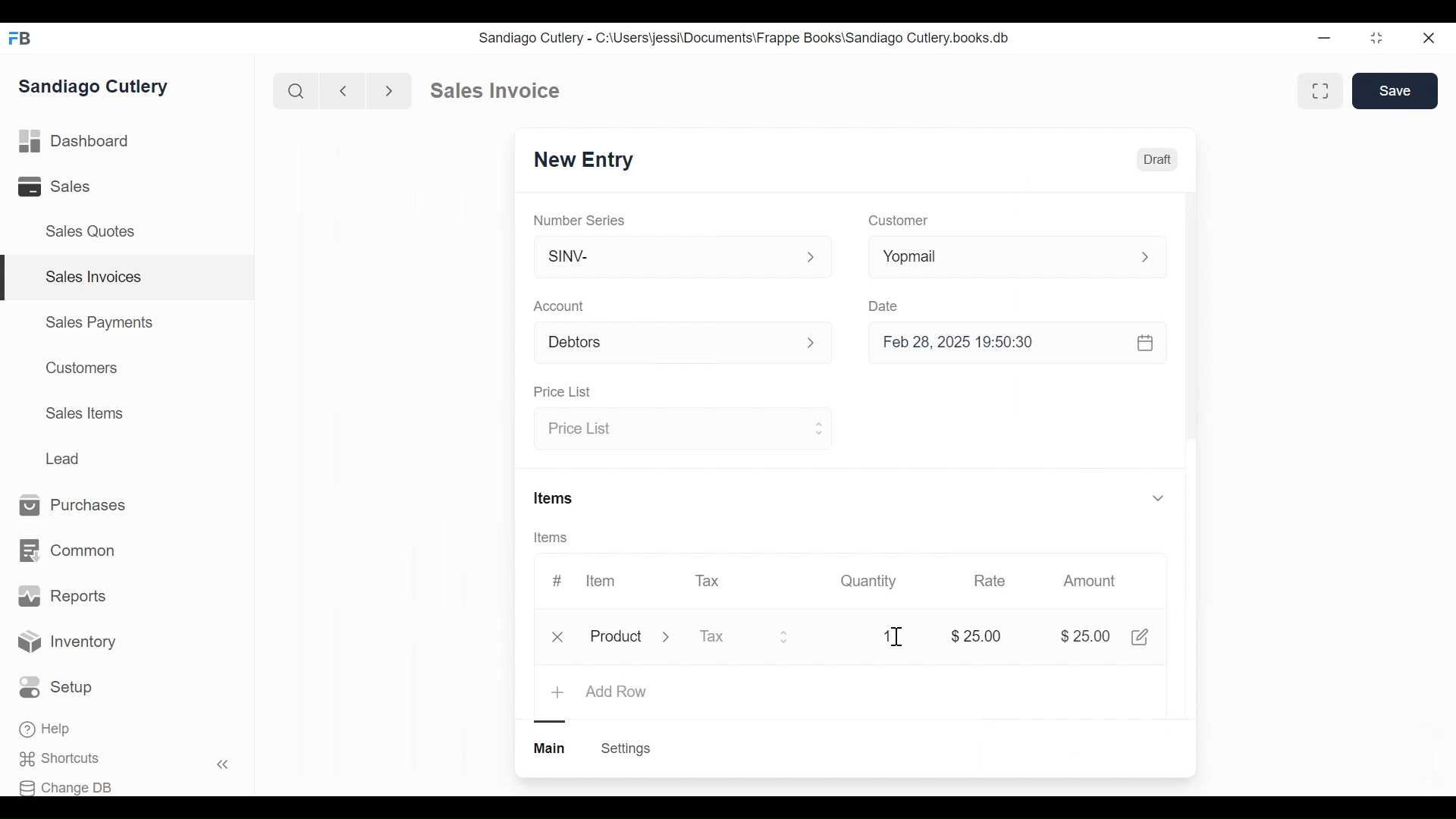 The height and width of the screenshot is (819, 1456). What do you see at coordinates (494, 91) in the screenshot?
I see `Sales Invoice` at bounding box center [494, 91].